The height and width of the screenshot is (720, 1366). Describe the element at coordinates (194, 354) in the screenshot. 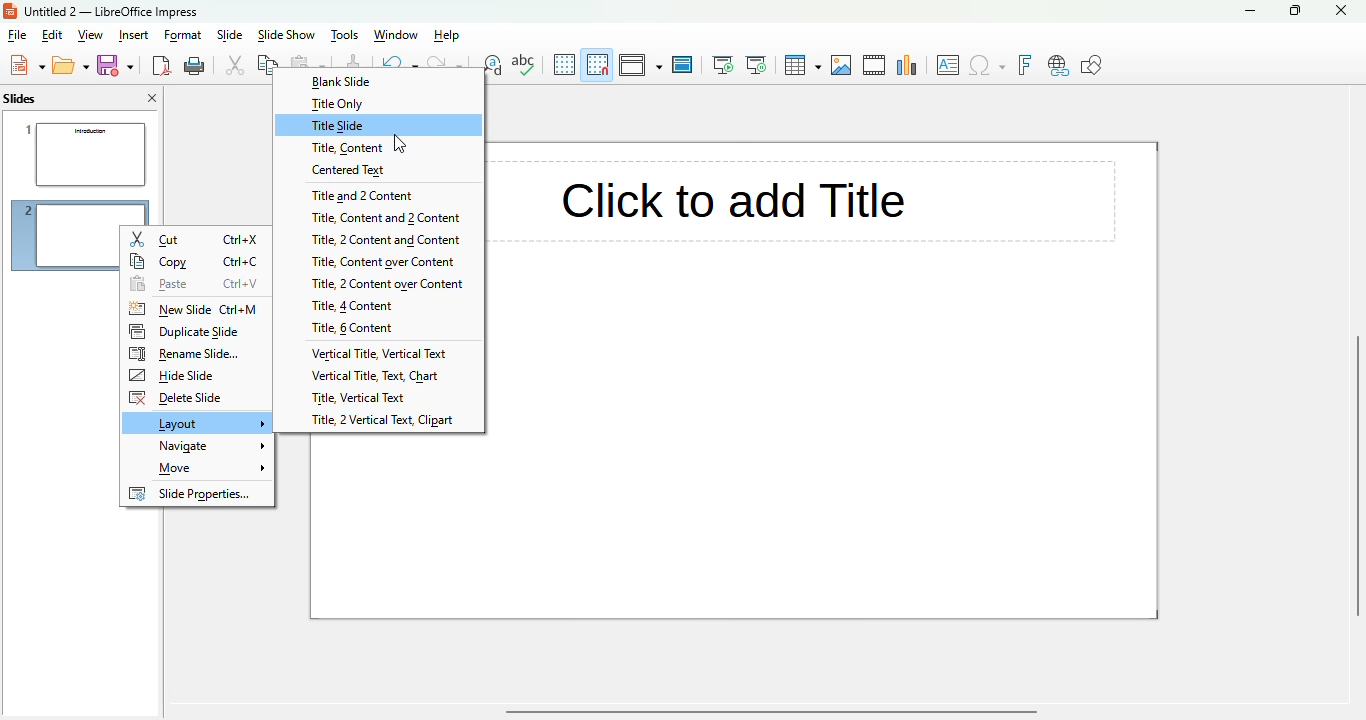

I see `rename slide` at that location.